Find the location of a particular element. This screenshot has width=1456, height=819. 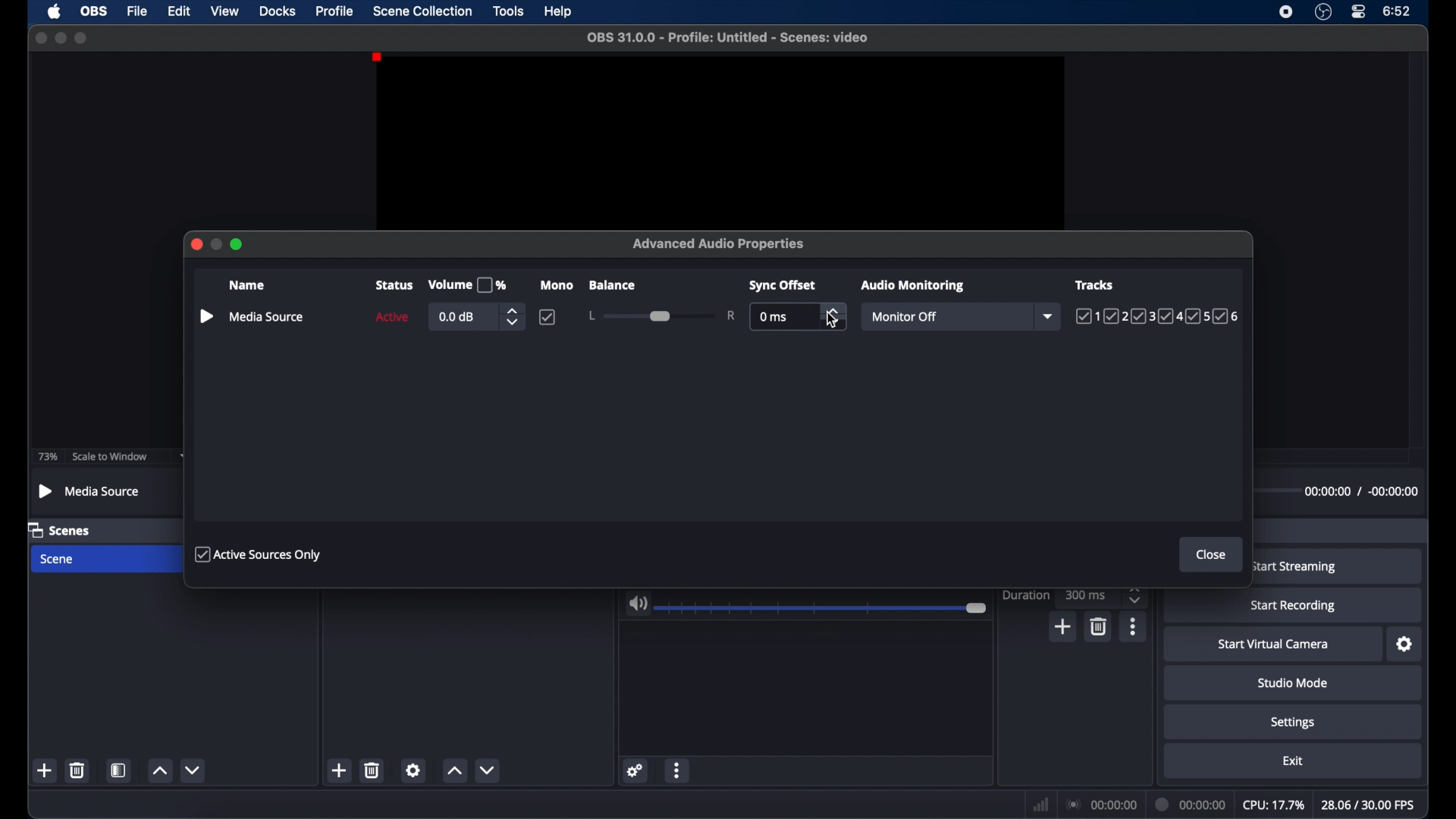

control center is located at coordinates (1357, 12).